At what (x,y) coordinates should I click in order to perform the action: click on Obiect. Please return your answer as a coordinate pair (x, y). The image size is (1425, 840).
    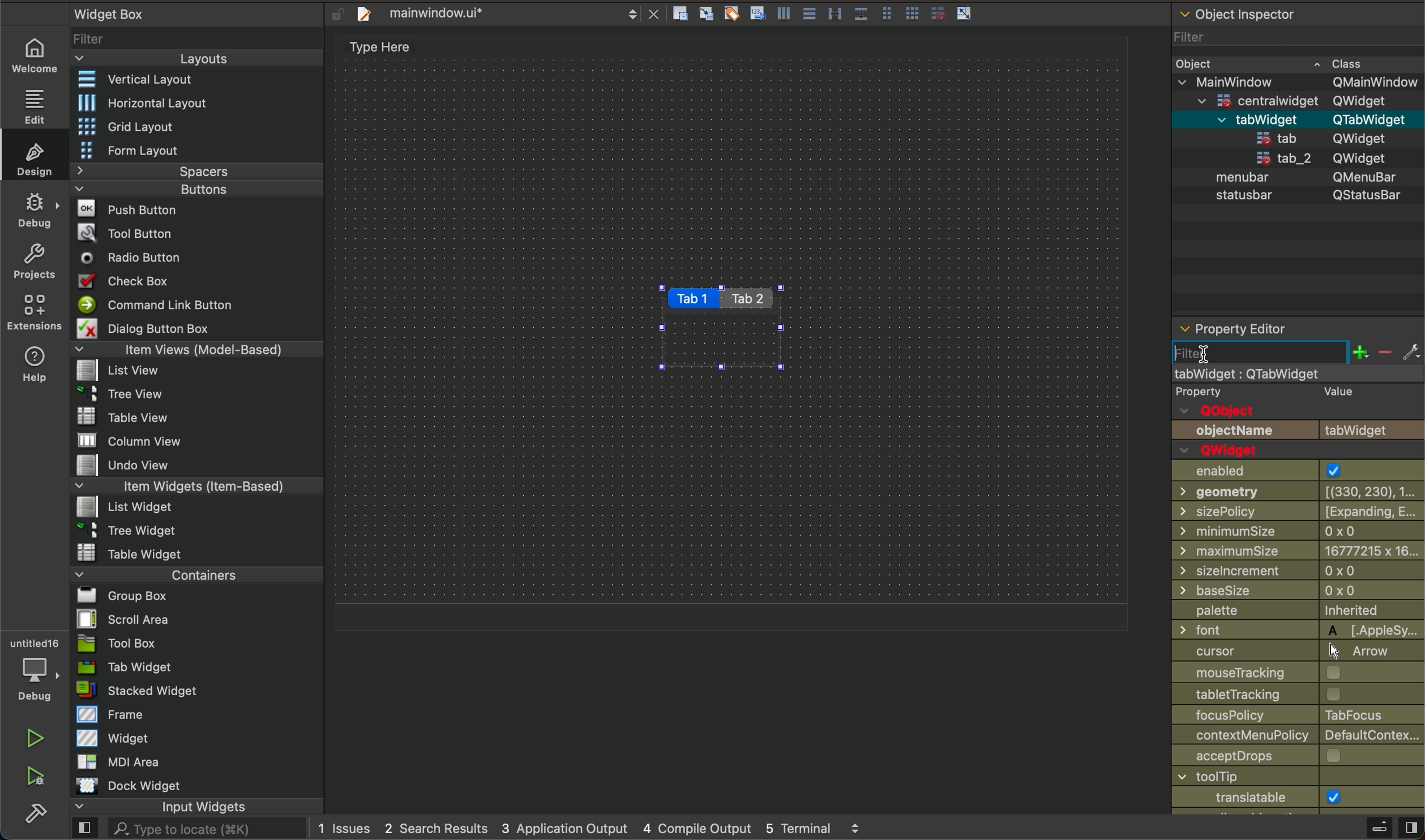
    Looking at the image, I should click on (1194, 61).